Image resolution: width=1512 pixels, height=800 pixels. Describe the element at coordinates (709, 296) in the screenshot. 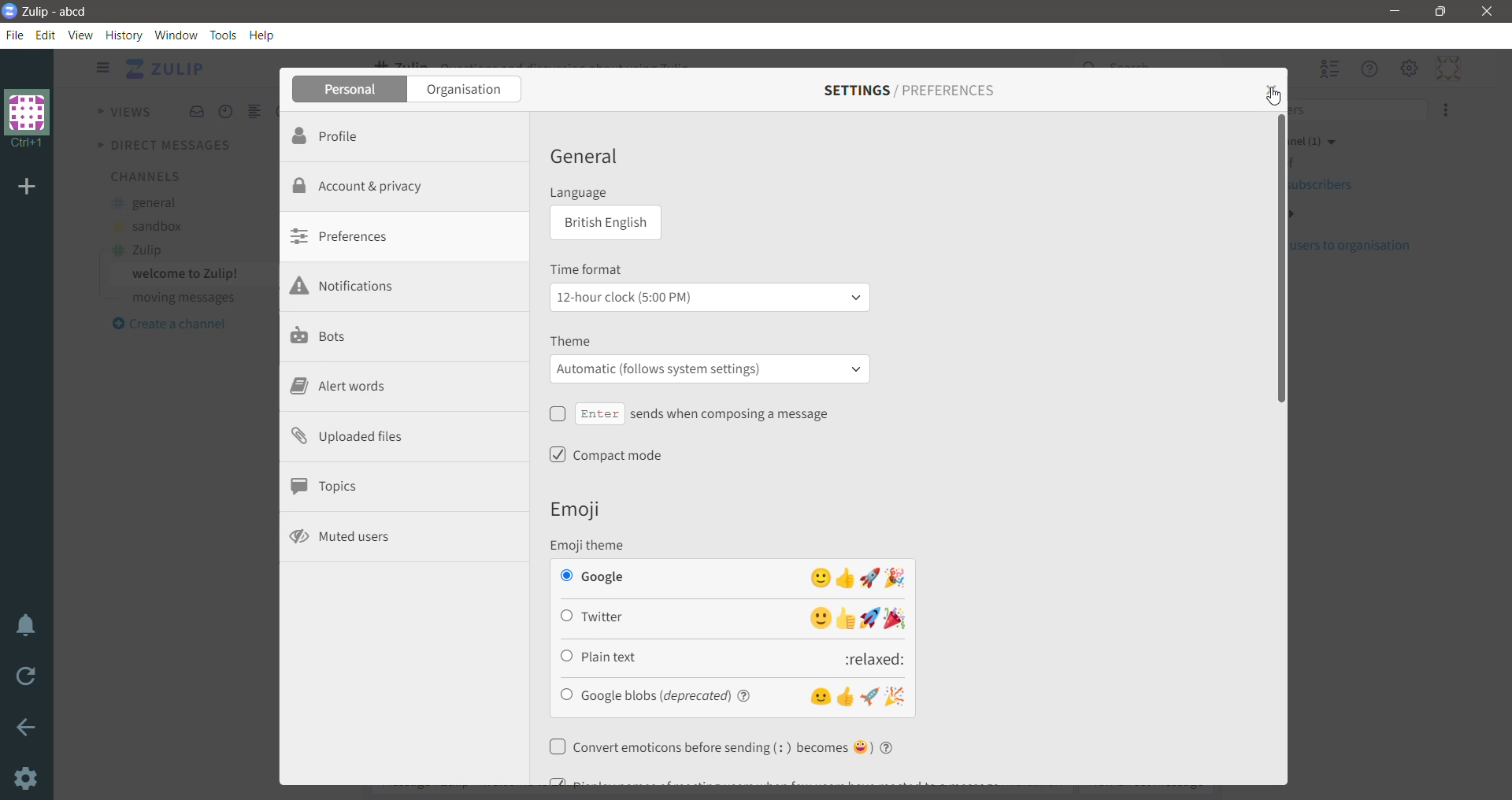

I see `12 - hour clock (5:00PM)` at that location.